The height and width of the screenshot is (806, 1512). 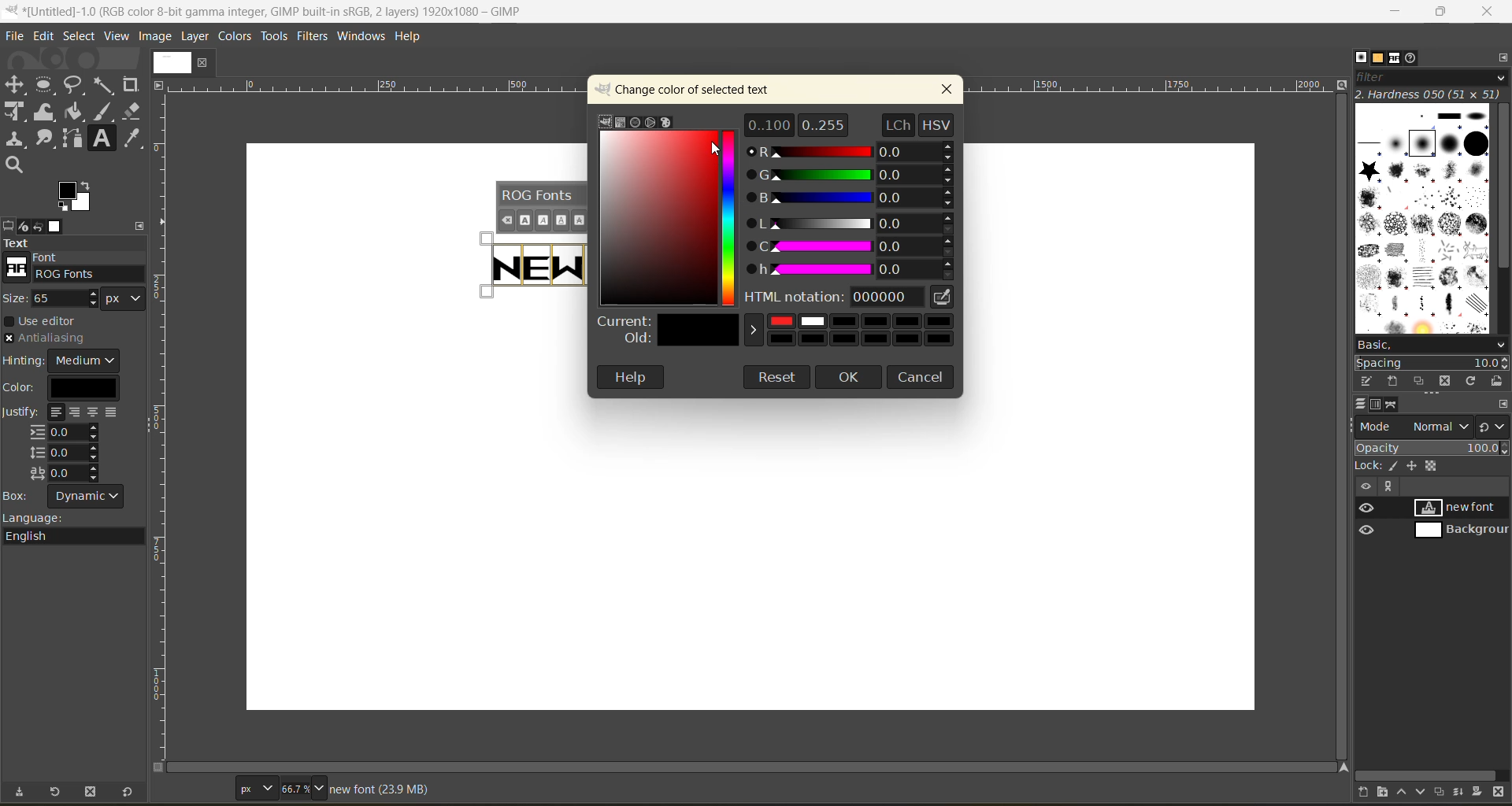 What do you see at coordinates (132, 790) in the screenshot?
I see `reset` at bounding box center [132, 790].